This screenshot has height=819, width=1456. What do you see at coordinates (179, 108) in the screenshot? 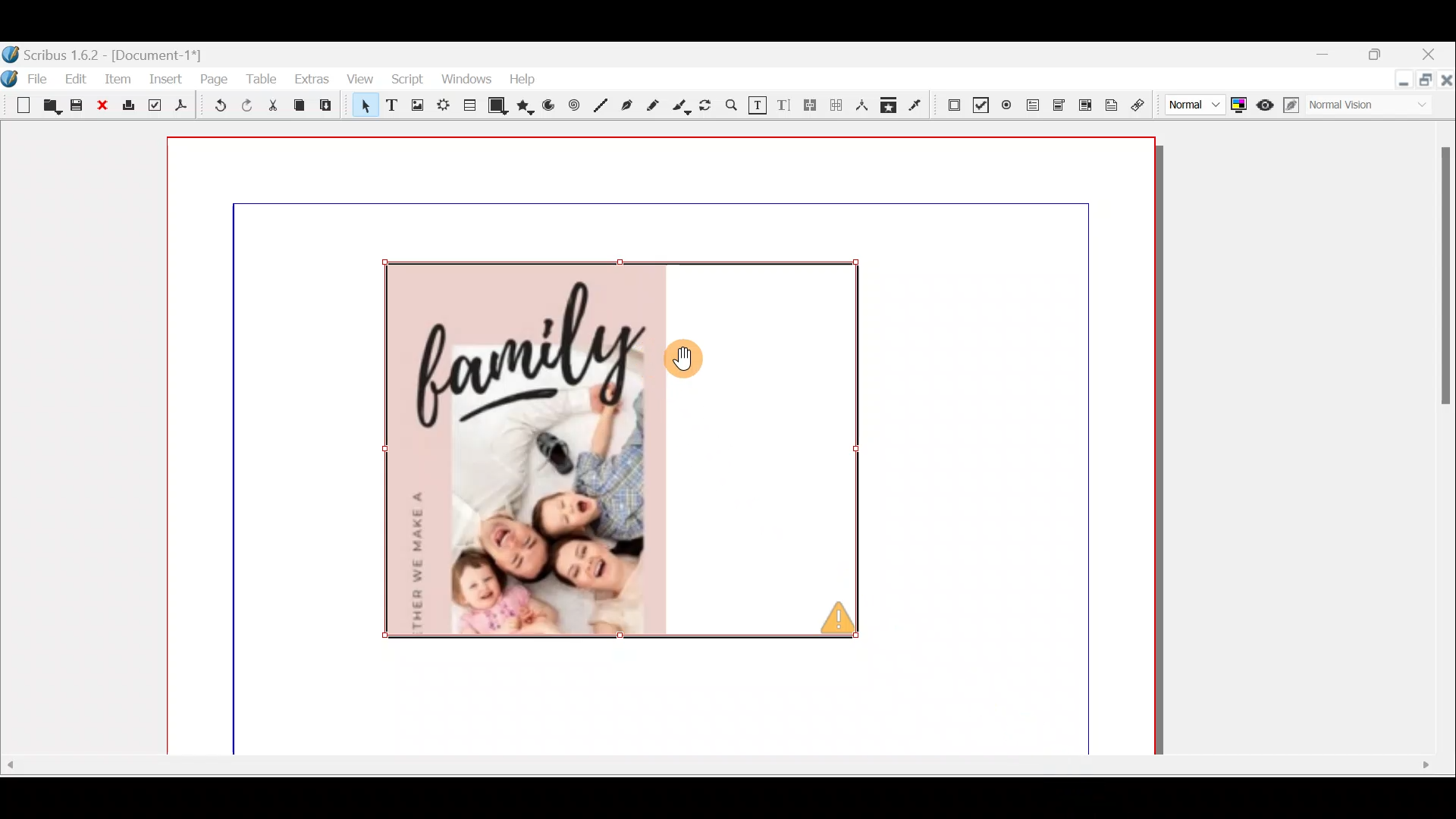
I see `Save as PDF` at bounding box center [179, 108].